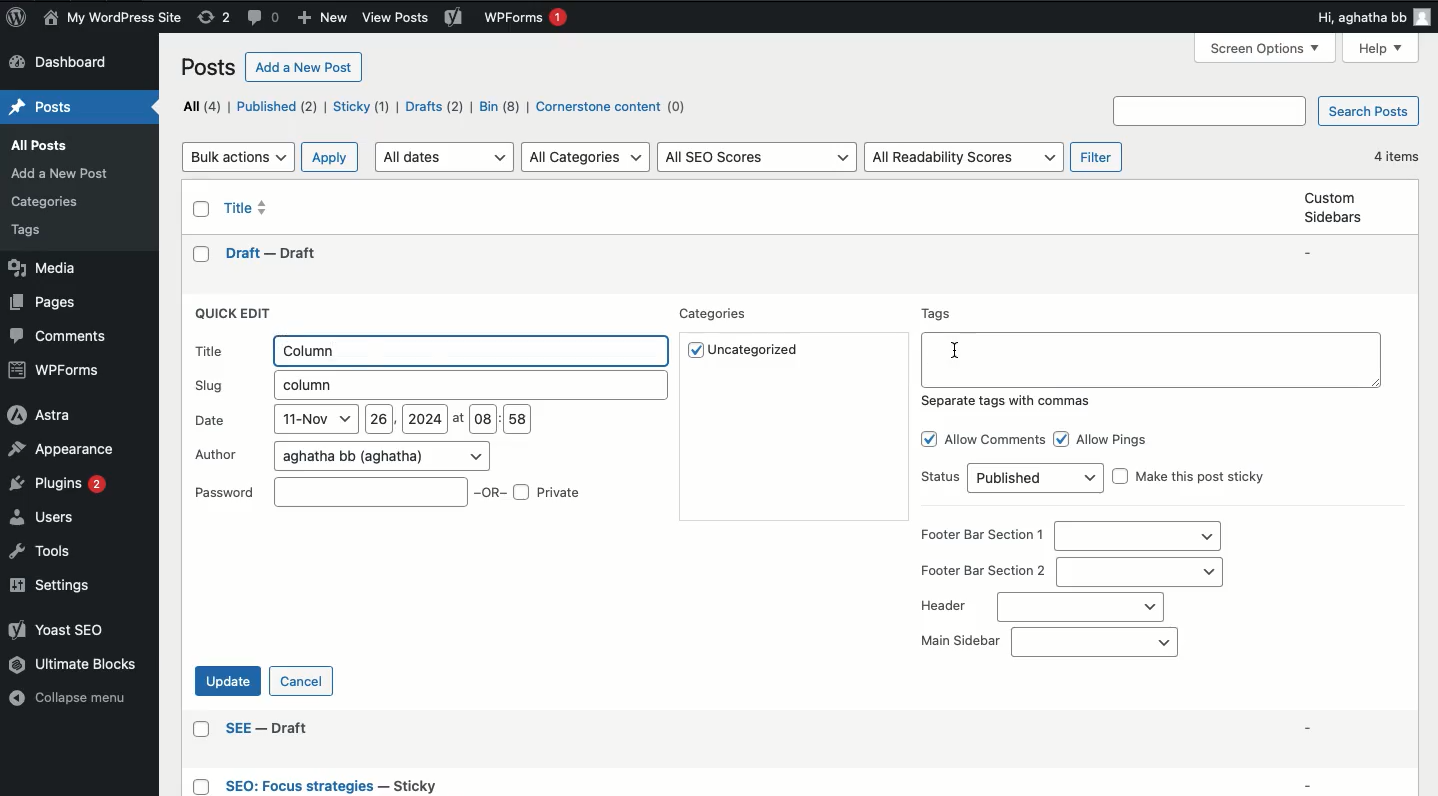  What do you see at coordinates (483, 420) in the screenshot?
I see `08` at bounding box center [483, 420].